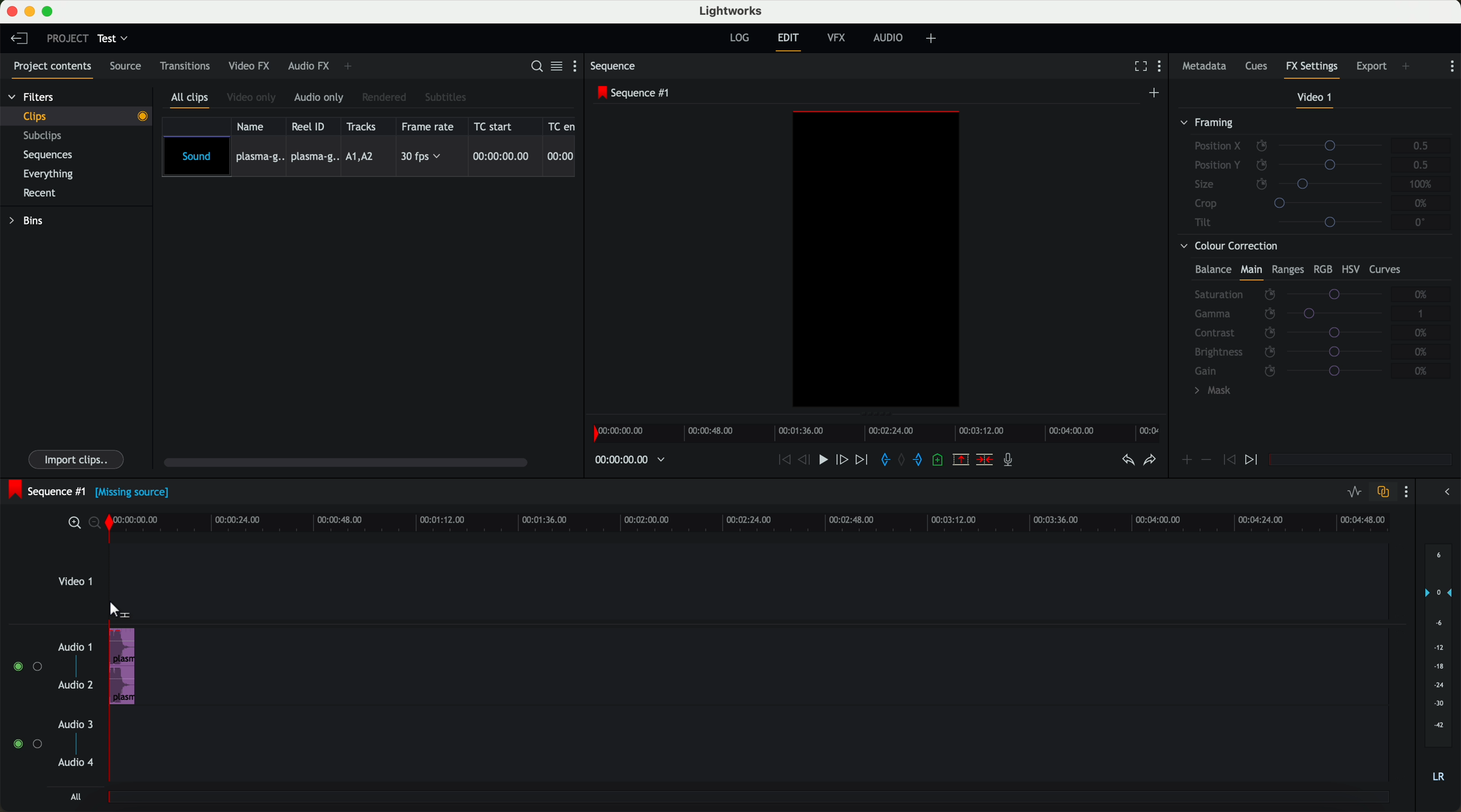 This screenshot has width=1461, height=812. What do you see at coordinates (733, 11) in the screenshot?
I see `lightworks` at bounding box center [733, 11].